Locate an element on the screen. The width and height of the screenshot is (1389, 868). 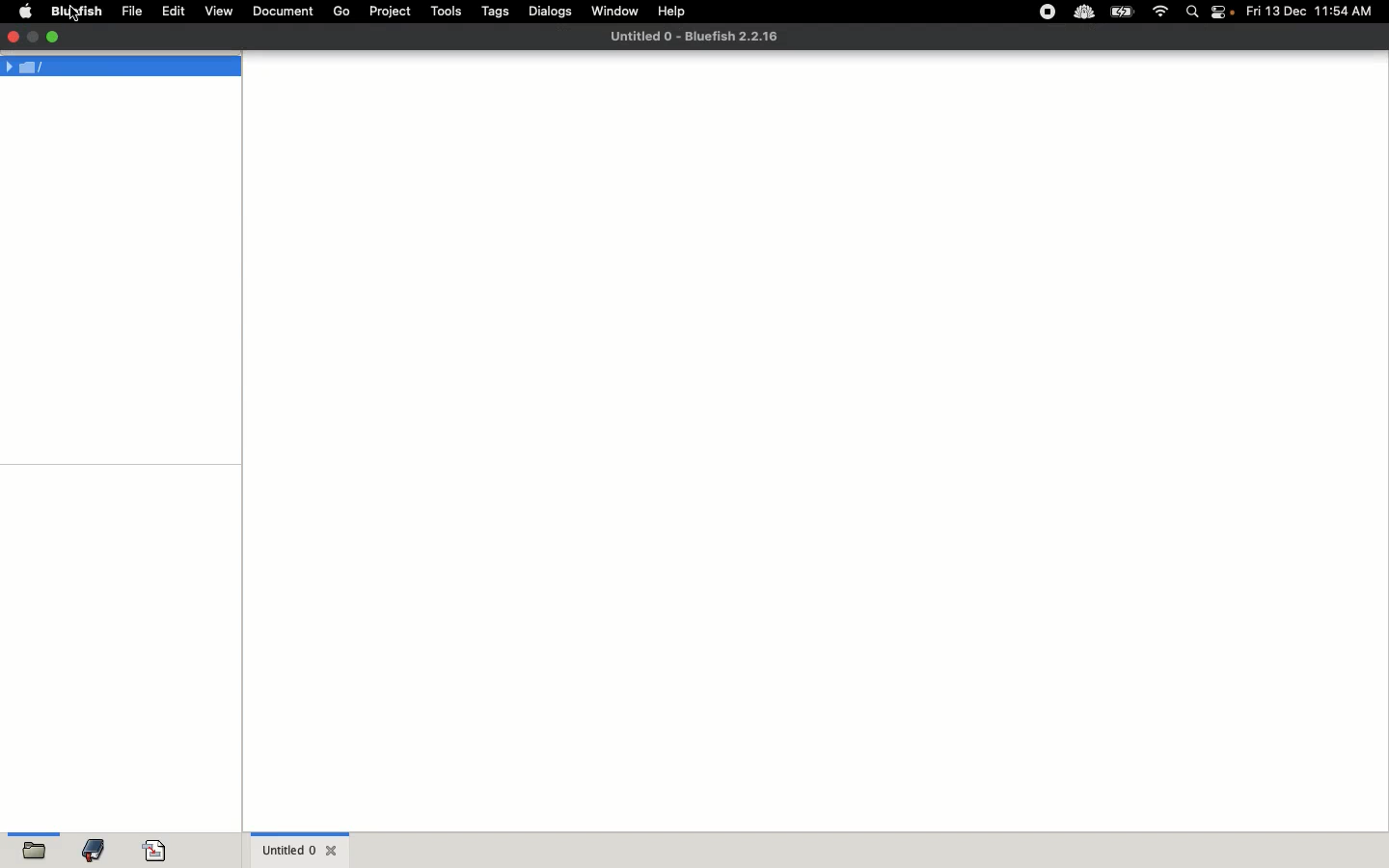
Date time is located at coordinates (1316, 11).